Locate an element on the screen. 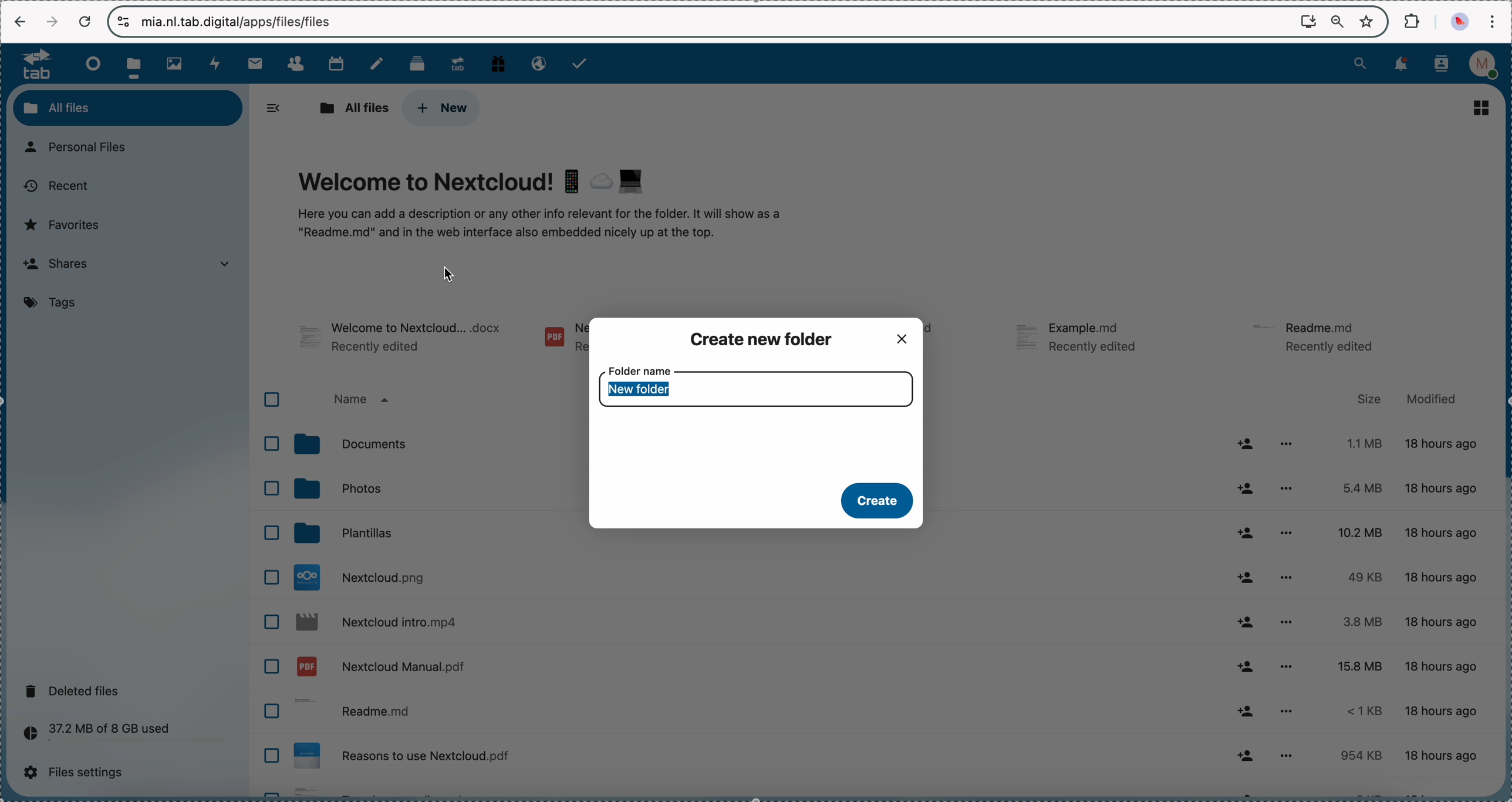  favorites is located at coordinates (66, 224).